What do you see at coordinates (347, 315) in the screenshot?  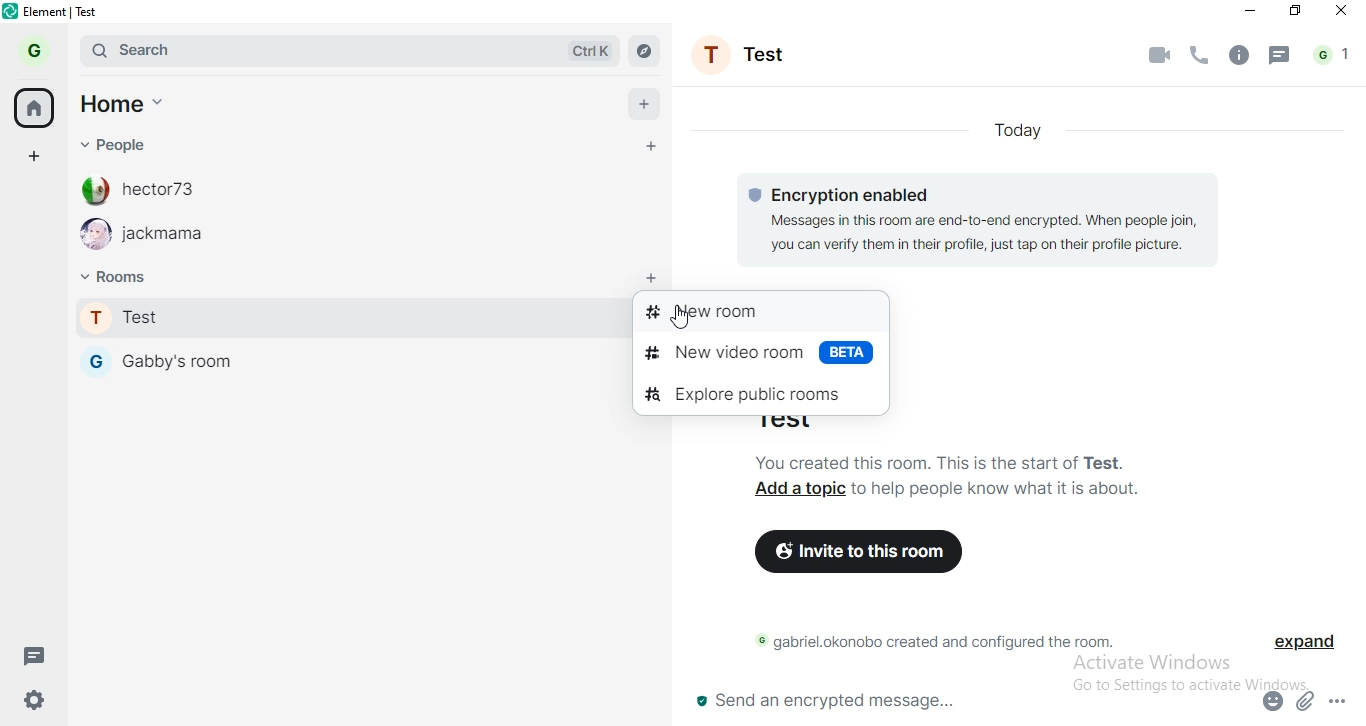 I see `test` at bounding box center [347, 315].